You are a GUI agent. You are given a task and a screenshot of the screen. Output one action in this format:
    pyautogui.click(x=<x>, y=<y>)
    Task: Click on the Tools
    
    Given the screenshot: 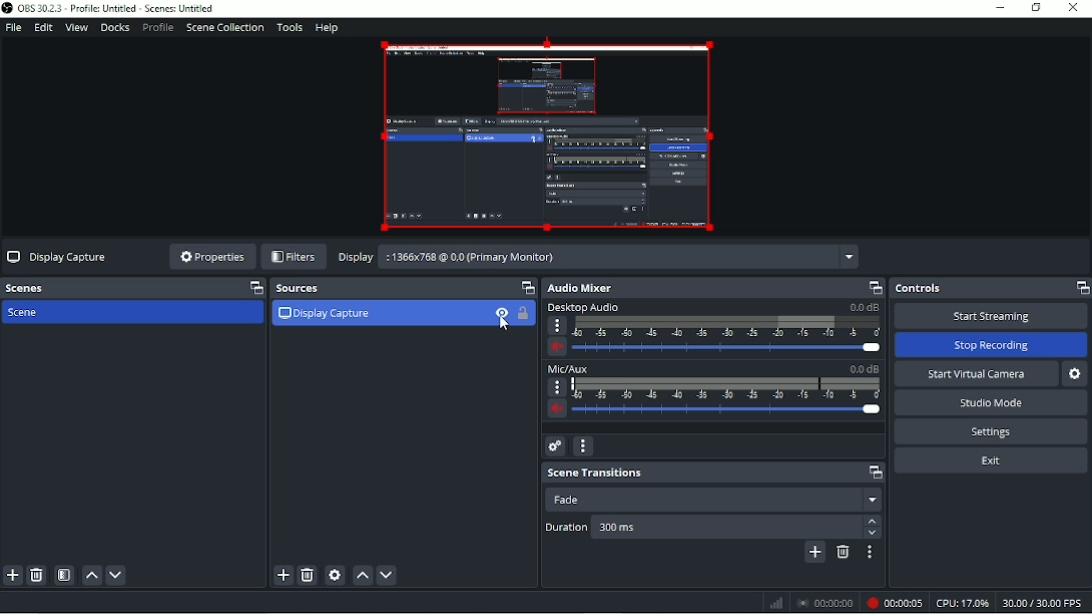 What is the action you would take?
    pyautogui.click(x=288, y=28)
    